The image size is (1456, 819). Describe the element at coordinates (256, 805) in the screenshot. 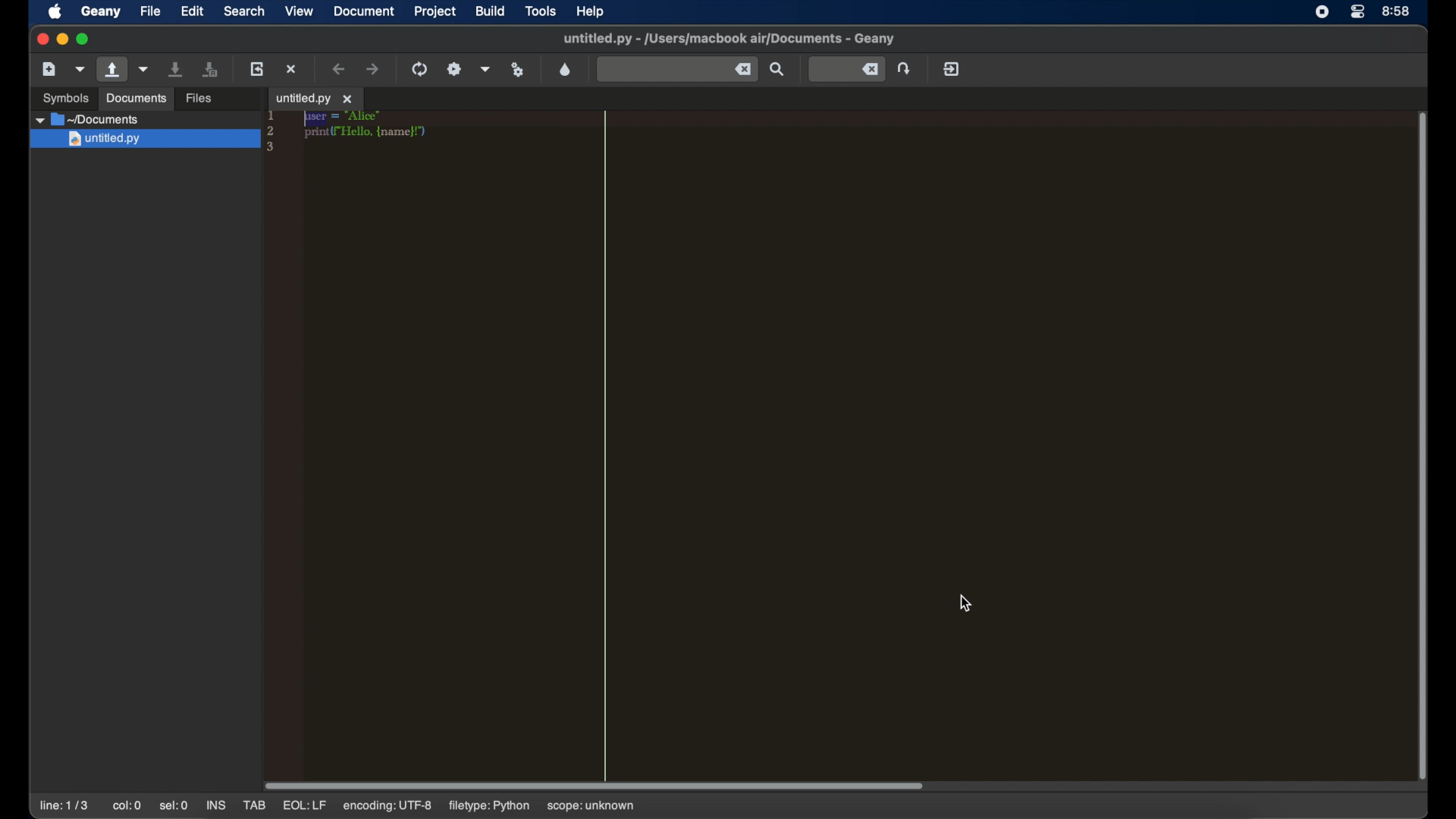

I see `tab` at that location.